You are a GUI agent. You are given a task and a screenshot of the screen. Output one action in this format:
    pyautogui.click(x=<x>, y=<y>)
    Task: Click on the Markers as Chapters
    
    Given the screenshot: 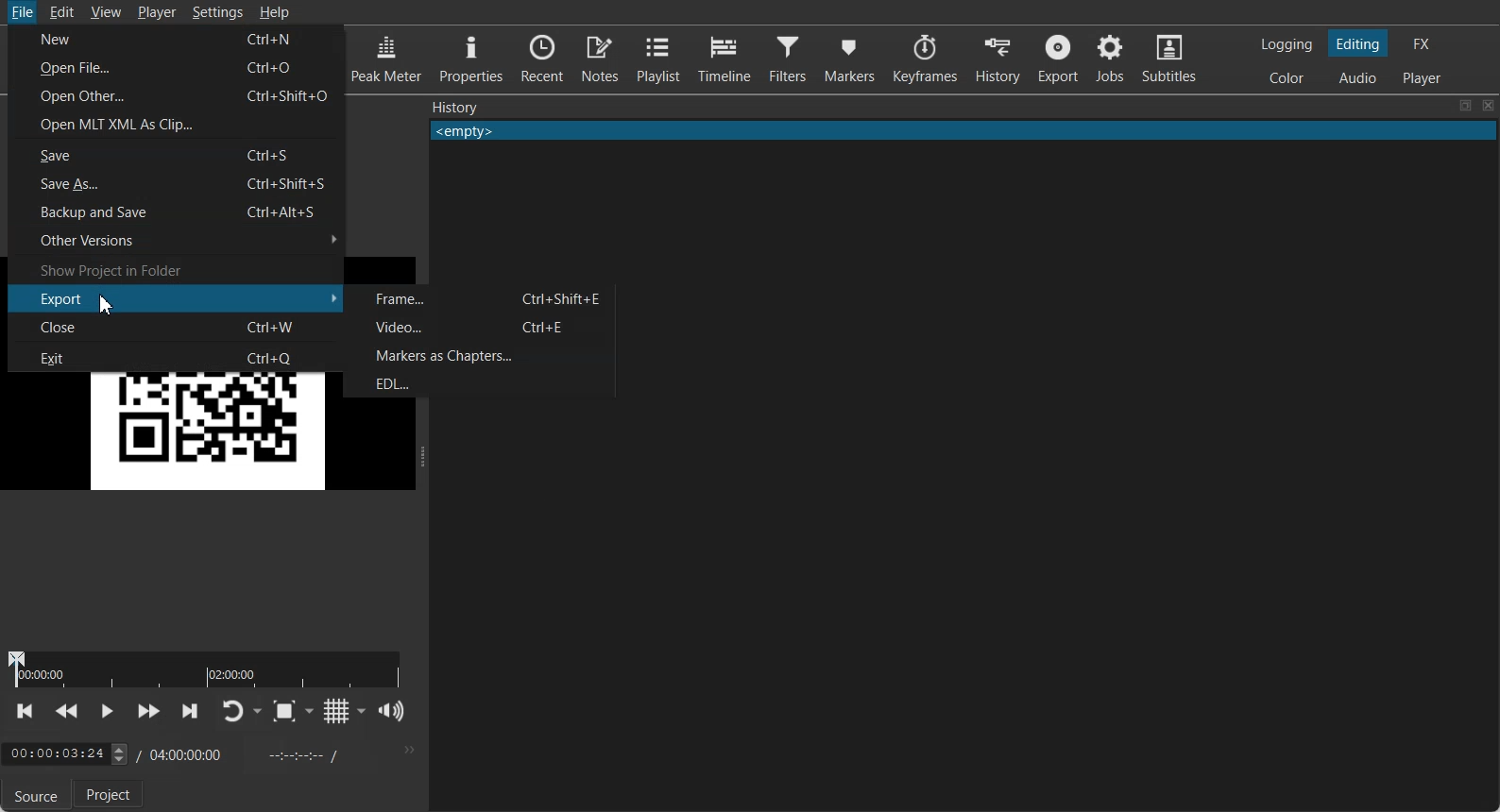 What is the action you would take?
    pyautogui.click(x=483, y=355)
    